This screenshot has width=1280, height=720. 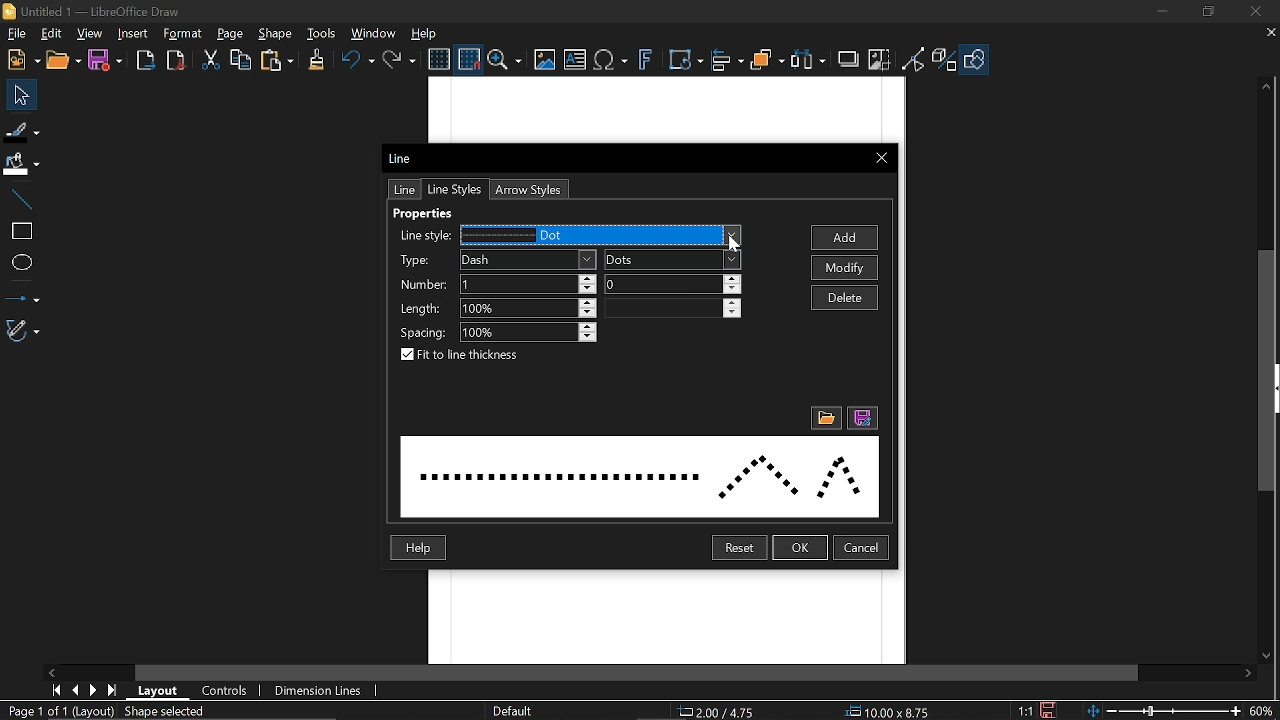 What do you see at coordinates (53, 672) in the screenshot?
I see `Move right` at bounding box center [53, 672].